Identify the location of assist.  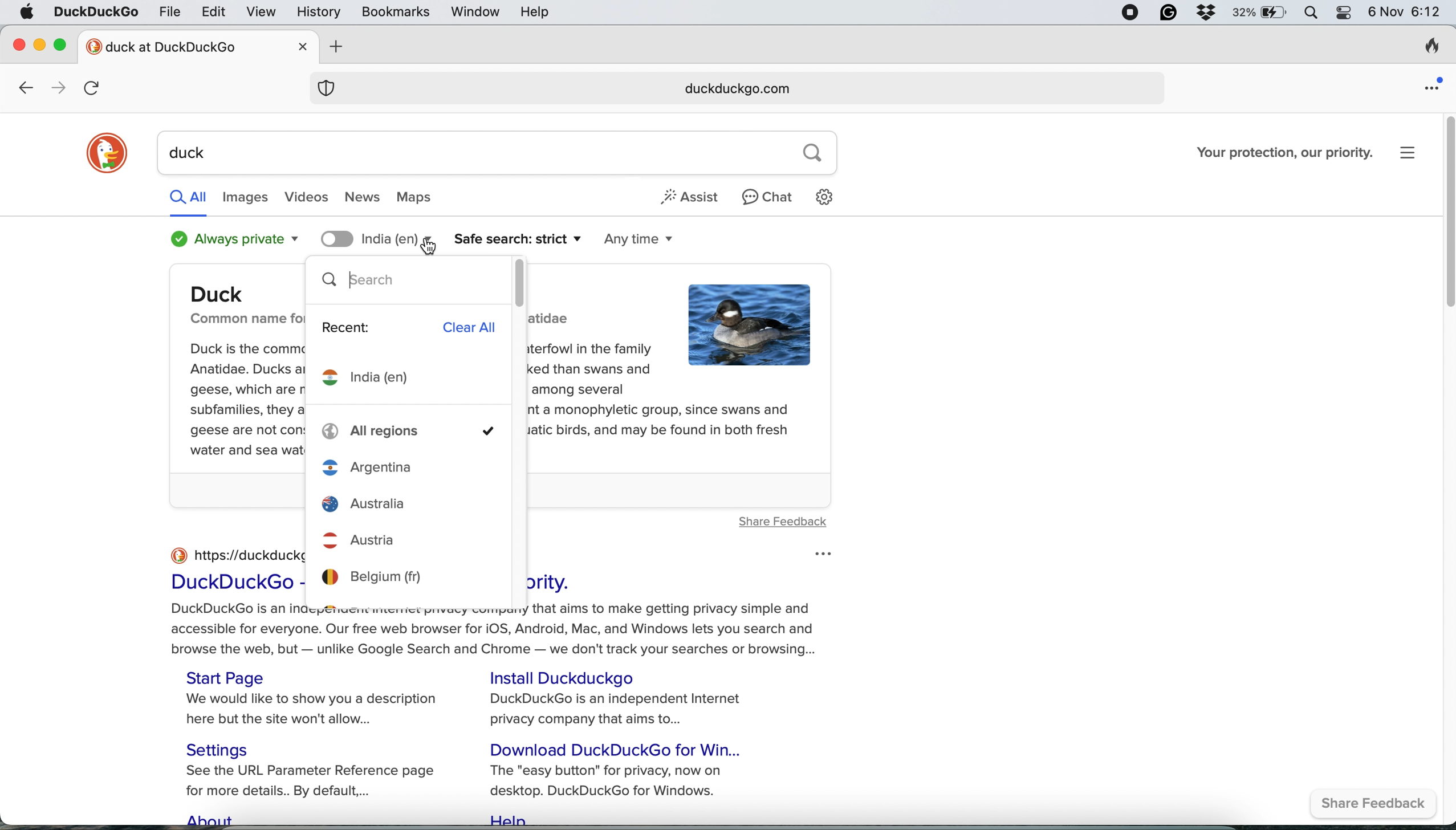
(693, 196).